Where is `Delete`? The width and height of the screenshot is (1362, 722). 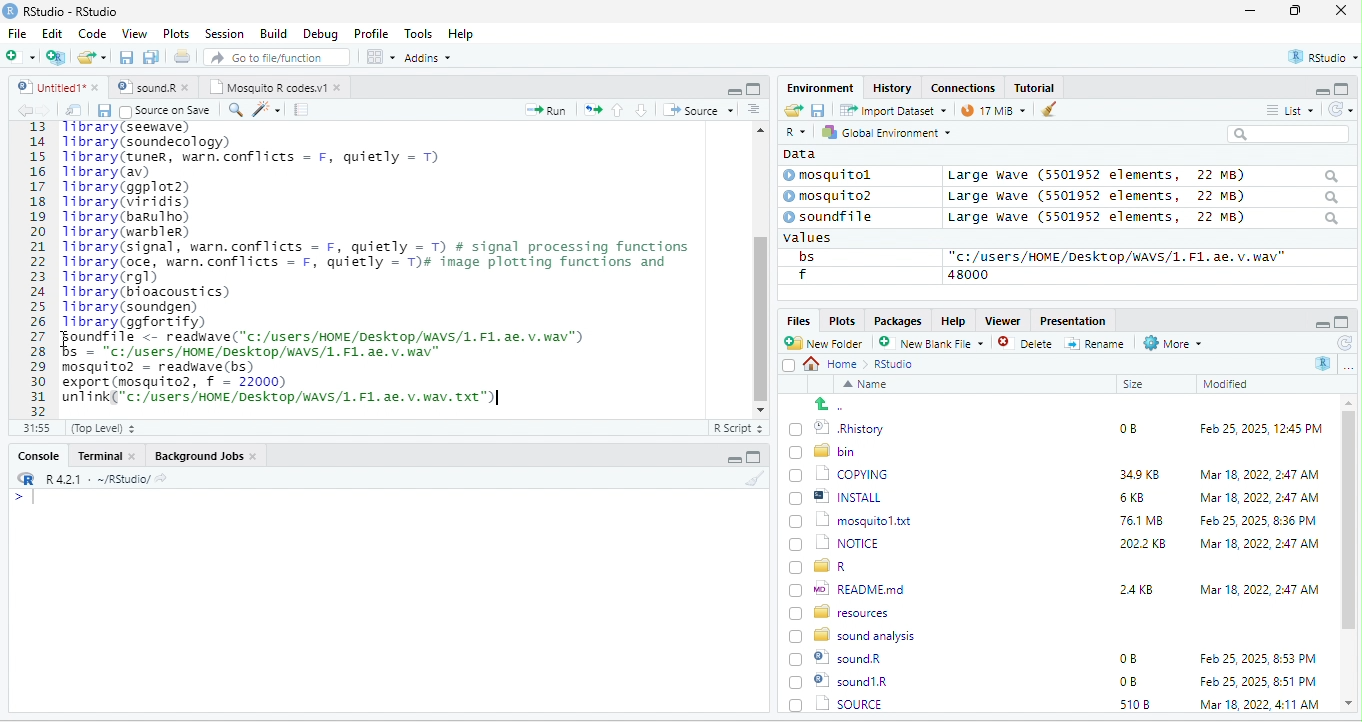
Delete is located at coordinates (1028, 344).